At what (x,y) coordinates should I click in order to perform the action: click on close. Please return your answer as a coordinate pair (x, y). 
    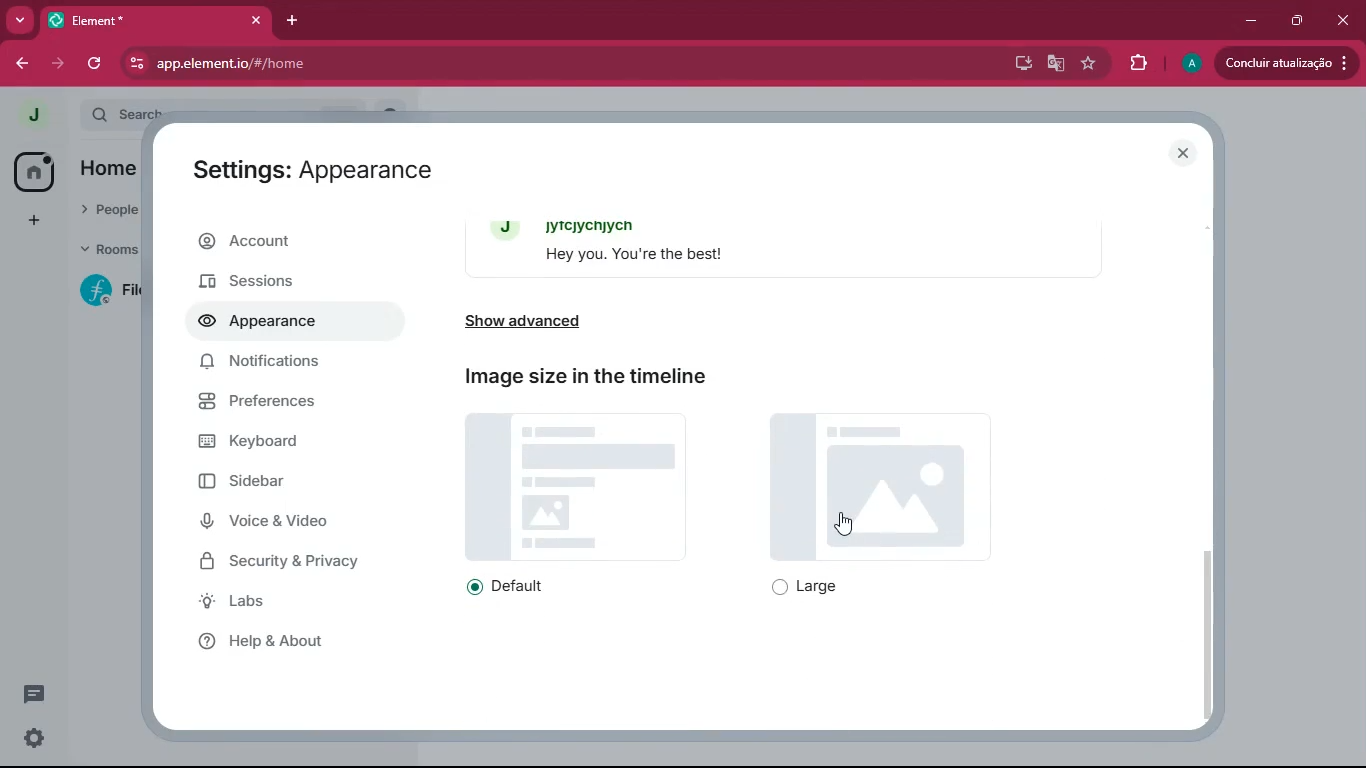
    Looking at the image, I should click on (1340, 19).